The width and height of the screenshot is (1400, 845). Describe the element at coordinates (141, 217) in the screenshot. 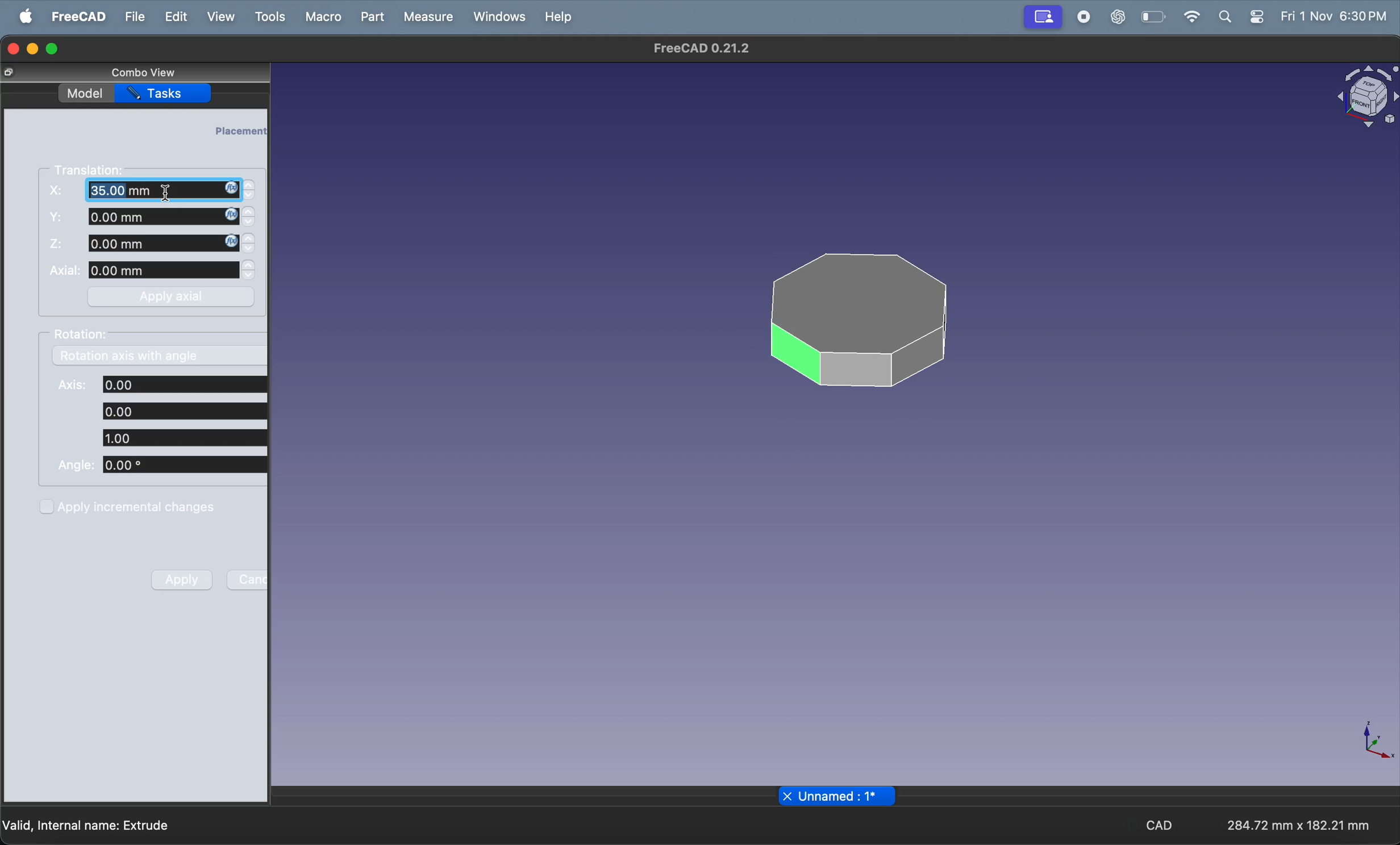

I see `Y: 0.00 mm` at that location.